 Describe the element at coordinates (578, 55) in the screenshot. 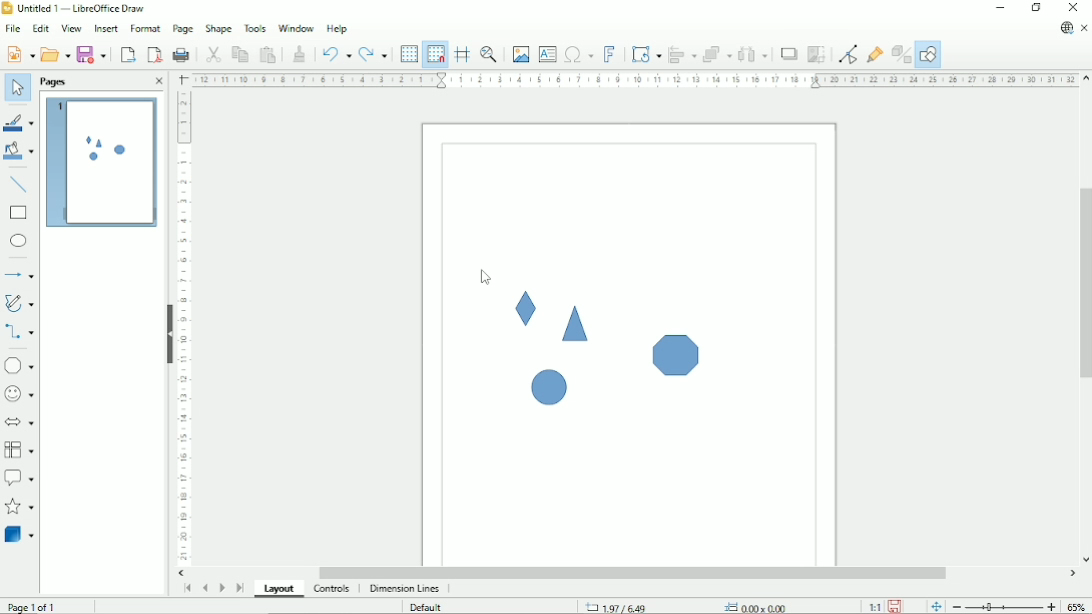

I see `Insert special characters` at that location.